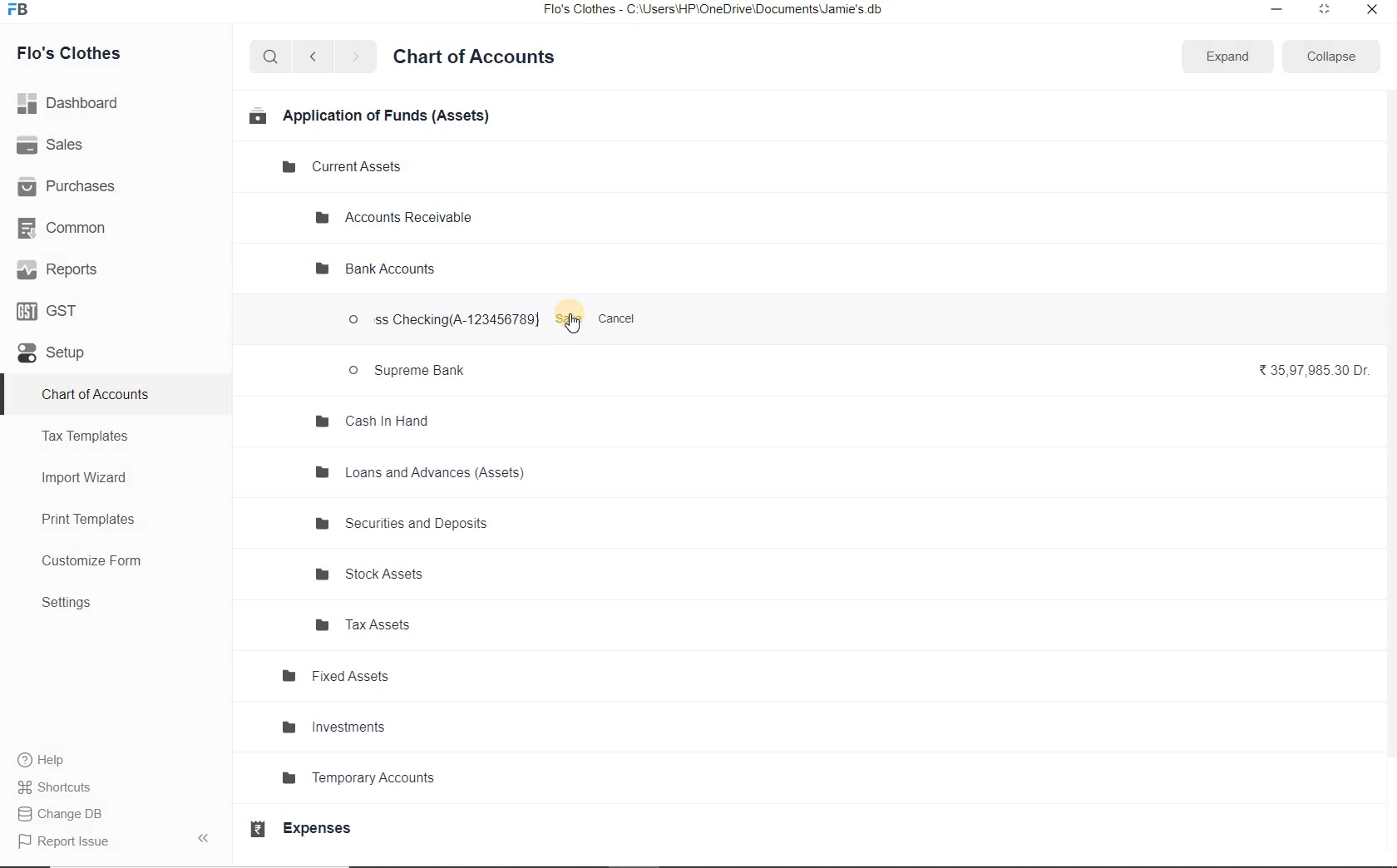  What do you see at coordinates (570, 318) in the screenshot?
I see `Save` at bounding box center [570, 318].